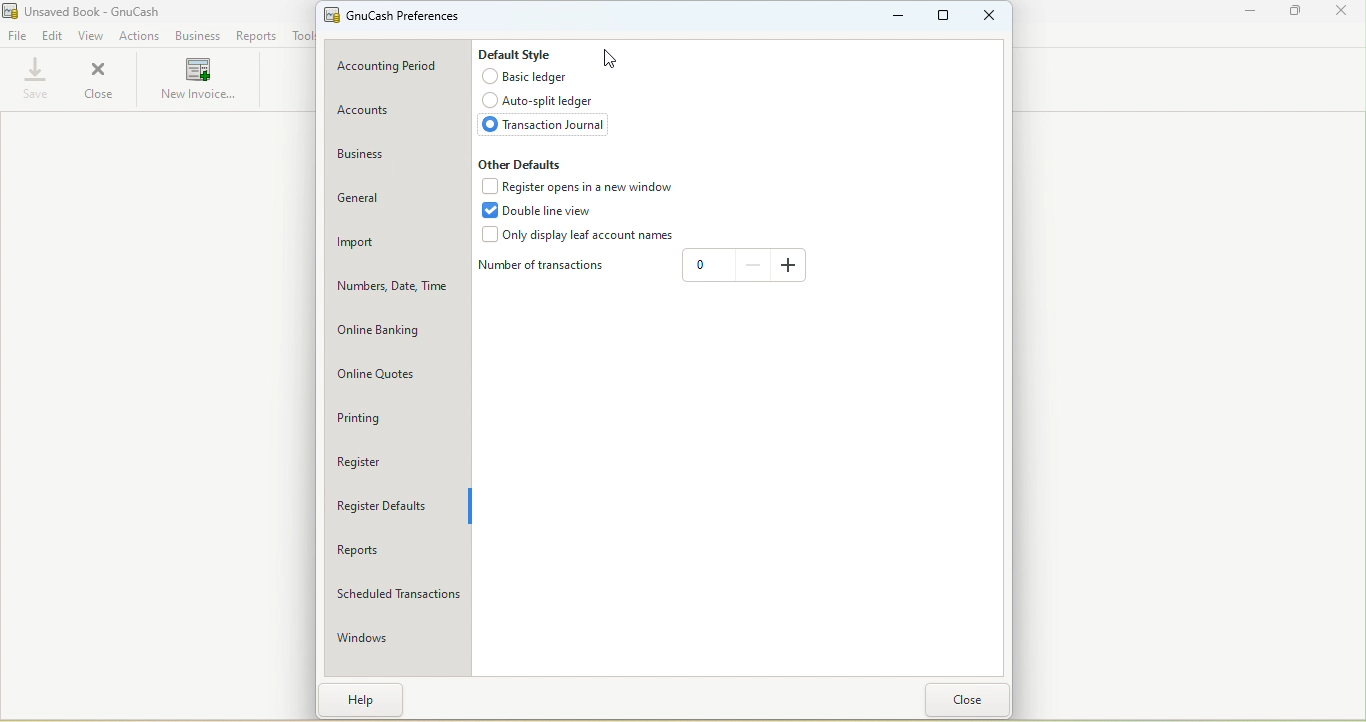 Image resolution: width=1366 pixels, height=722 pixels. Describe the element at coordinates (546, 126) in the screenshot. I see `Transaction journal` at that location.